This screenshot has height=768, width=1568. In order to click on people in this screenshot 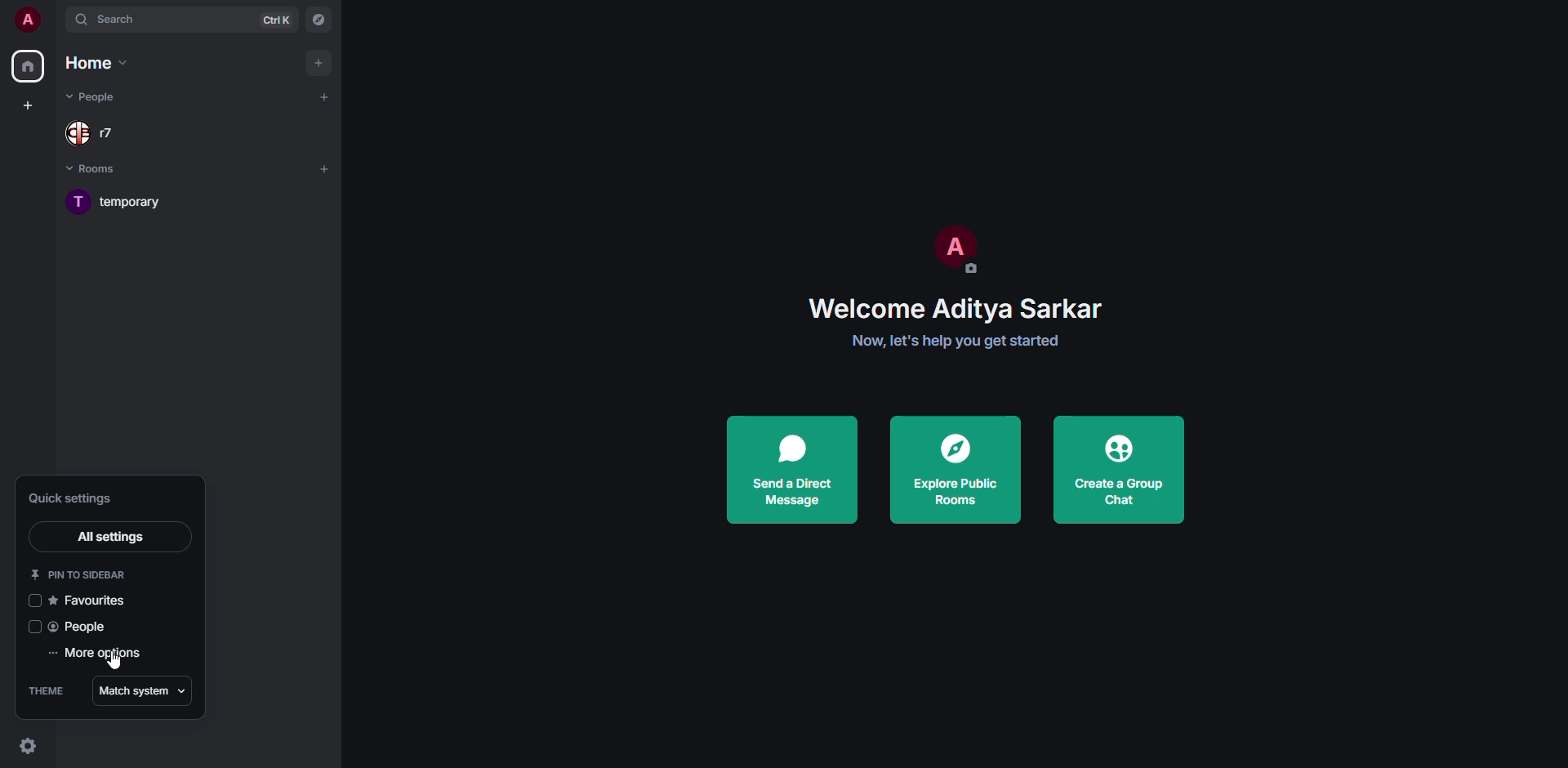, I will do `click(101, 96)`.